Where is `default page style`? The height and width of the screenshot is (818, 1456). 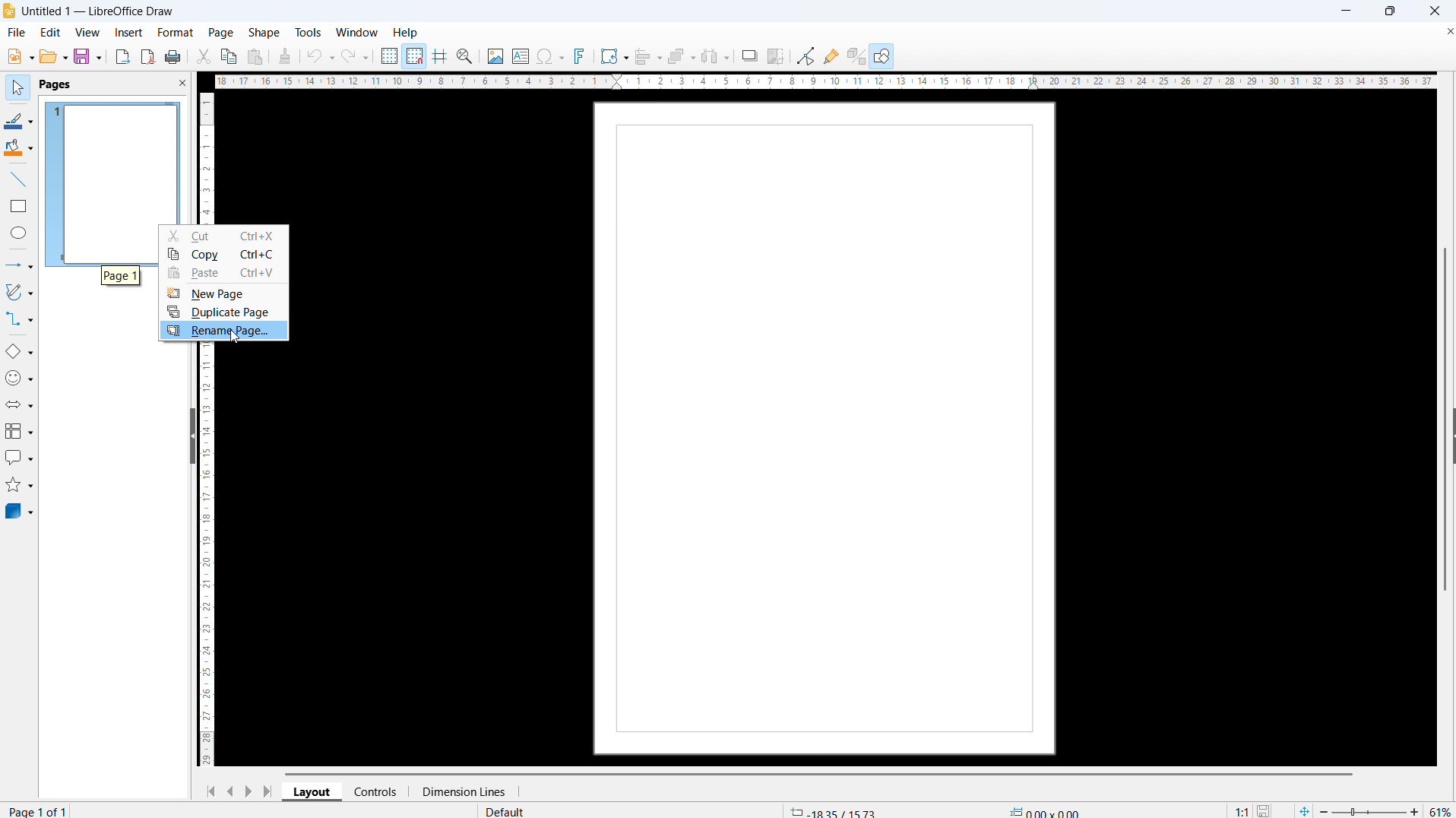
default page style is located at coordinates (505, 811).